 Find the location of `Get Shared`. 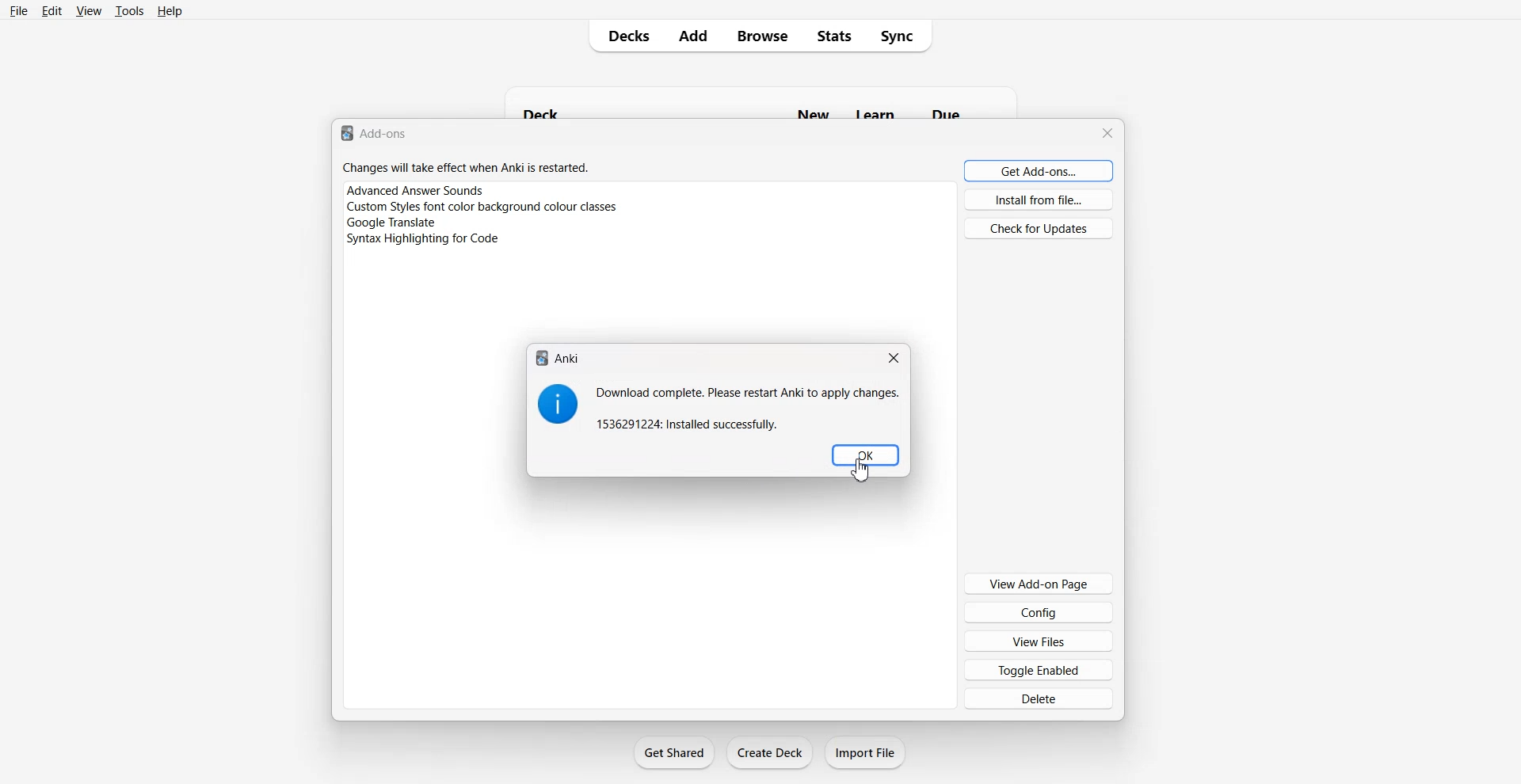

Get Shared is located at coordinates (675, 752).